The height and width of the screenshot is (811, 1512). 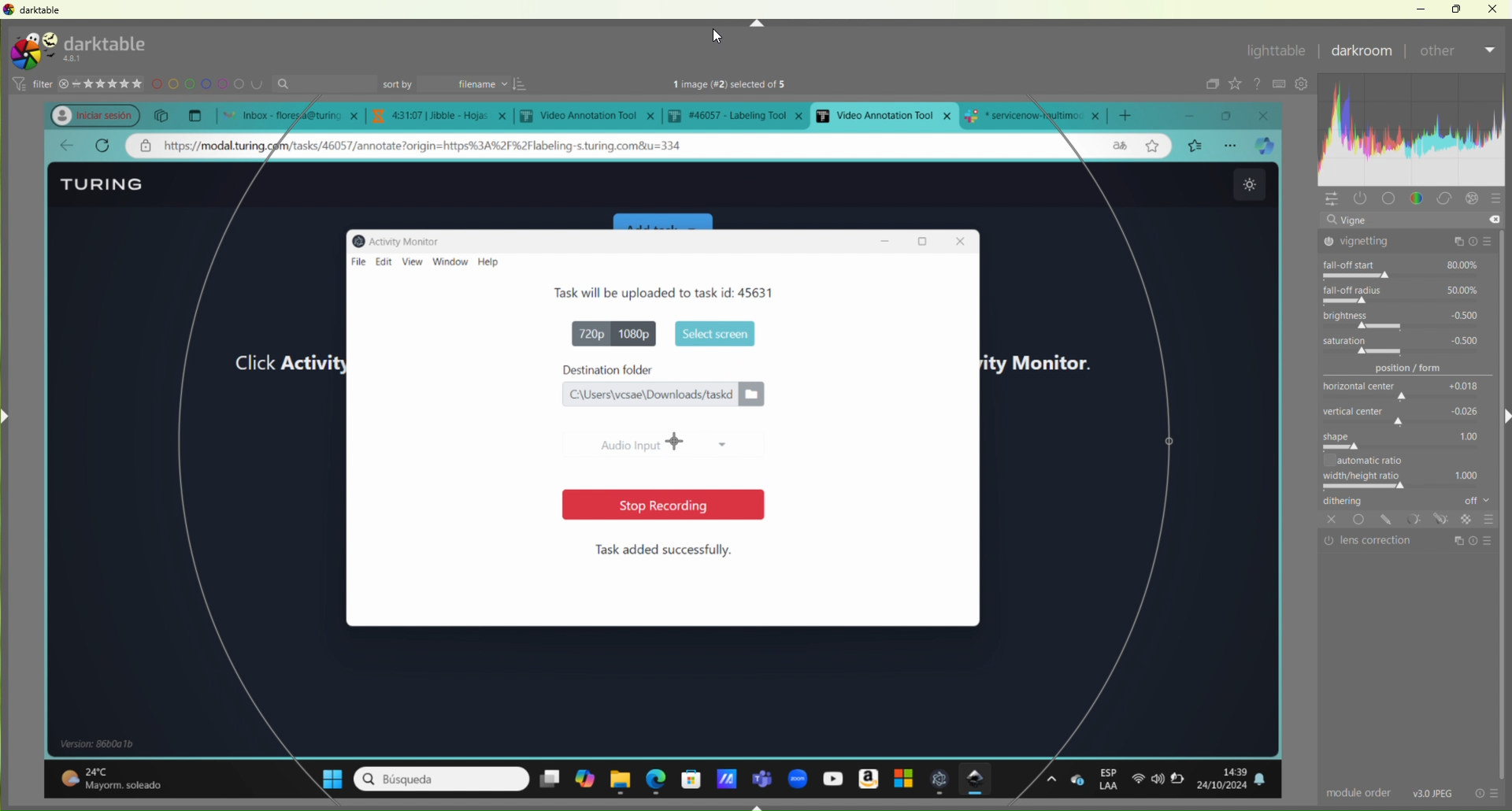 I want to click on click activity, so click(x=273, y=363).